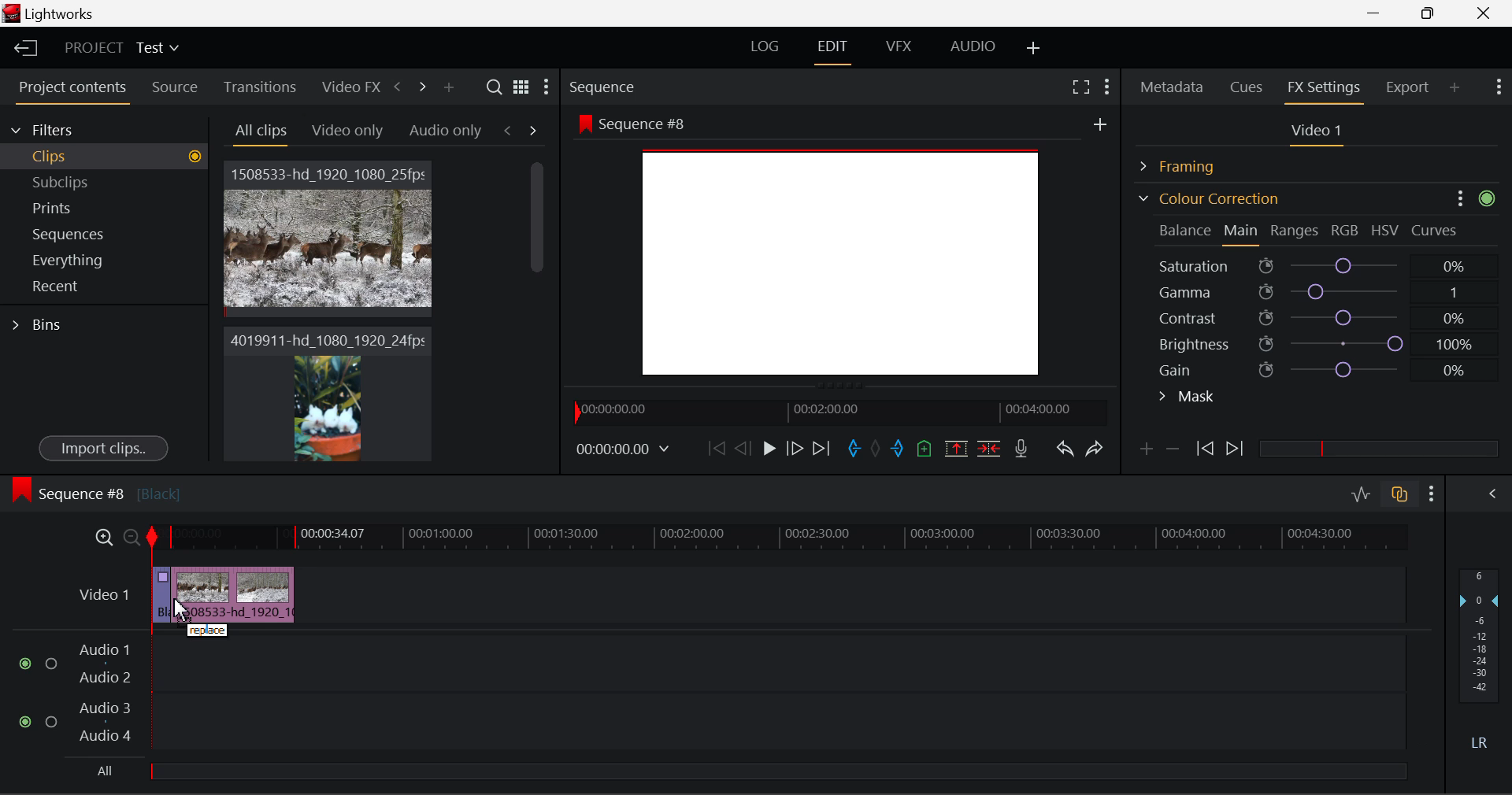 The image size is (1512, 795). I want to click on Project Timeline Navigator, so click(838, 412).